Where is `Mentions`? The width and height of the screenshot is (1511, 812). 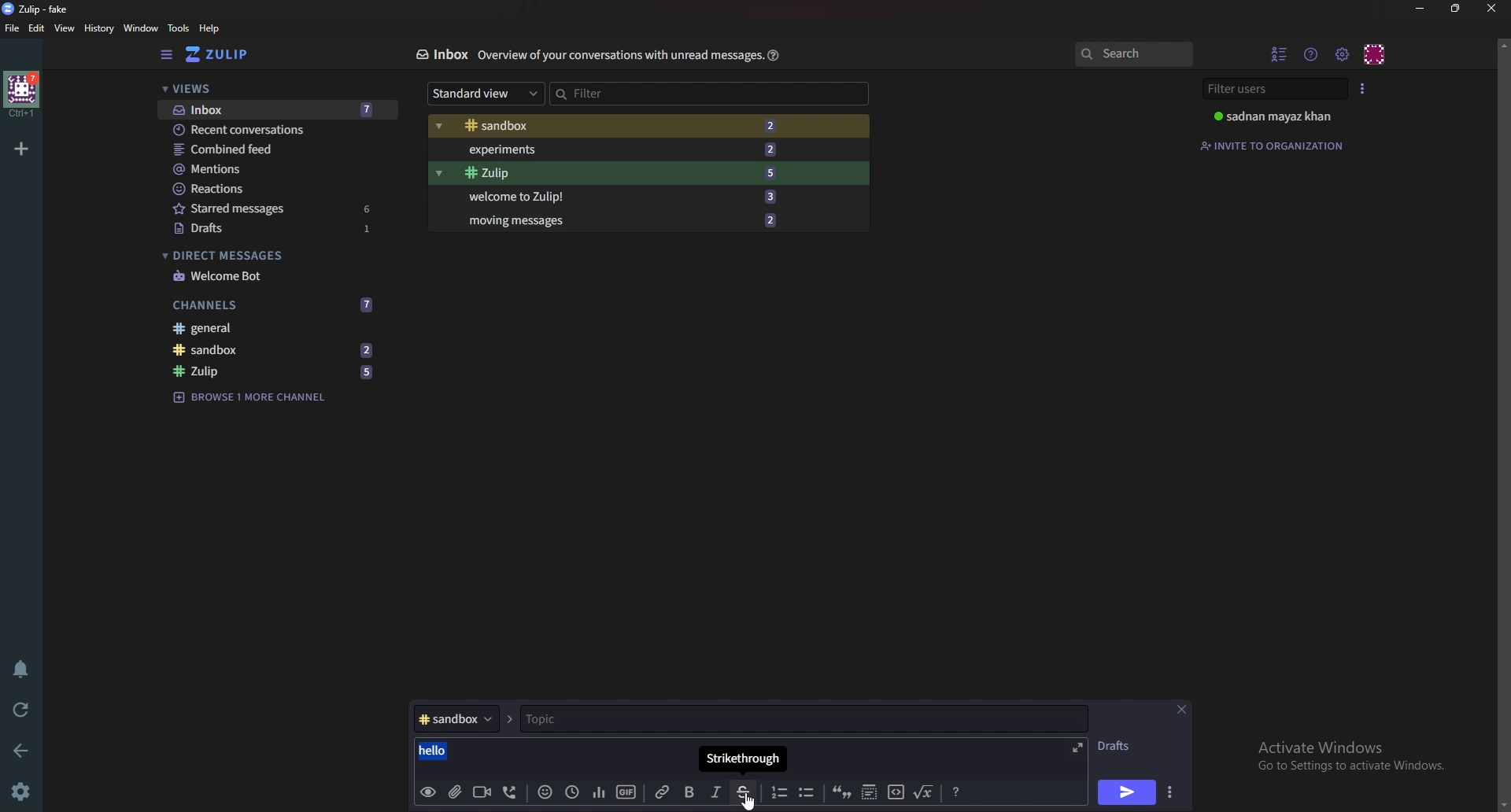 Mentions is located at coordinates (267, 168).